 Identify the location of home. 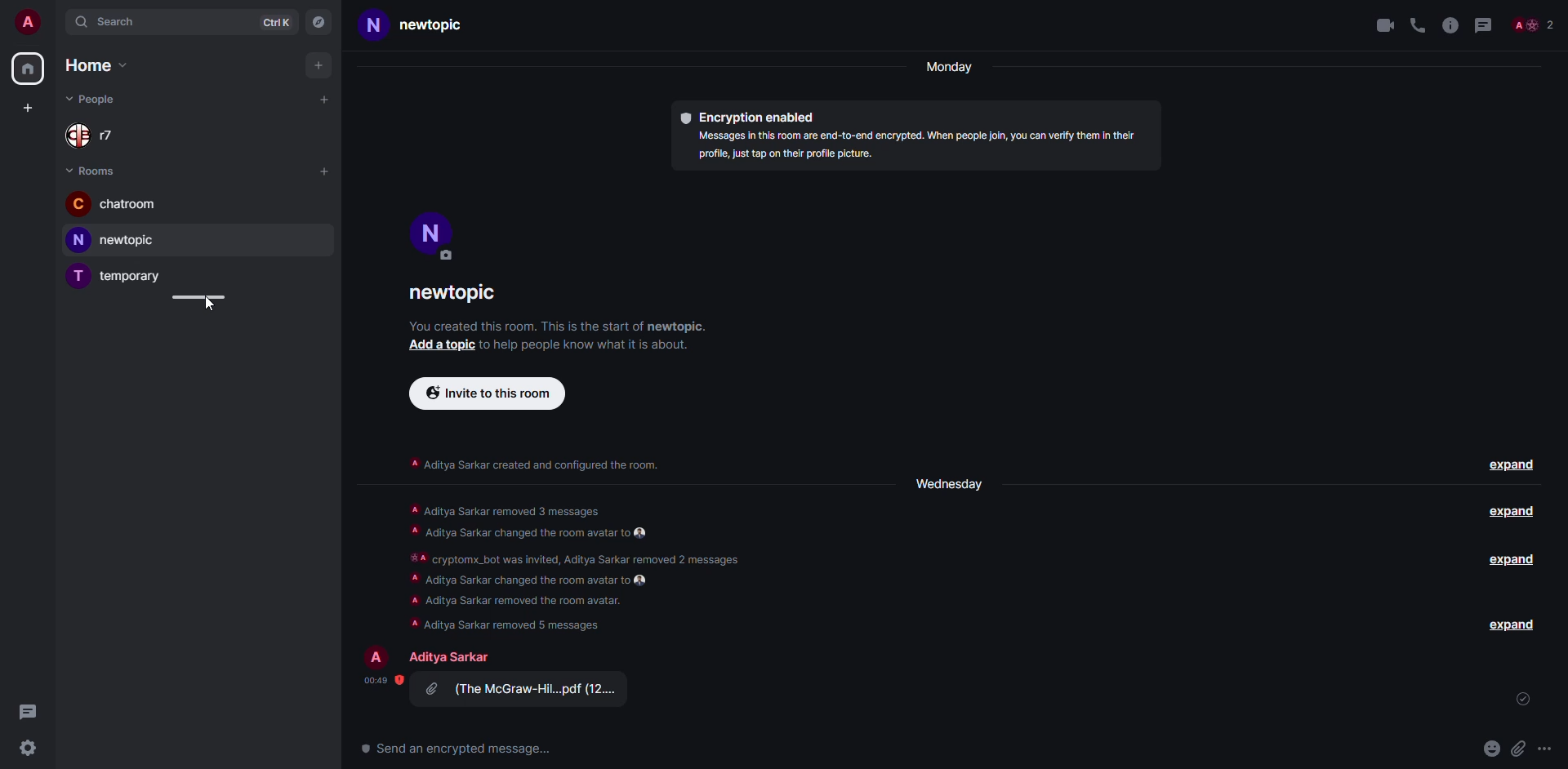
(28, 69).